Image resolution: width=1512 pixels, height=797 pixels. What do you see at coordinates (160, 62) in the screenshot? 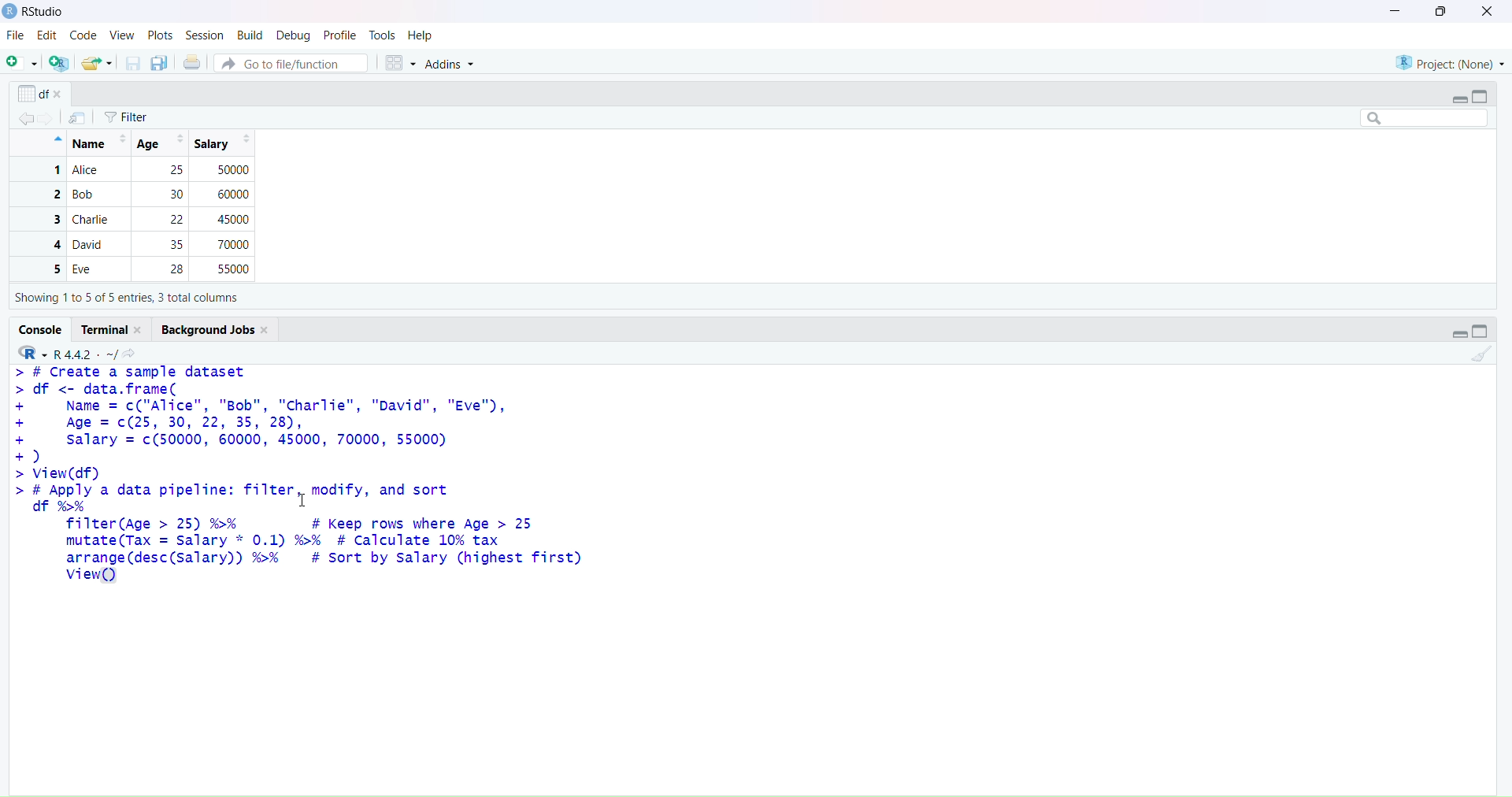
I see `save all open documents` at bounding box center [160, 62].